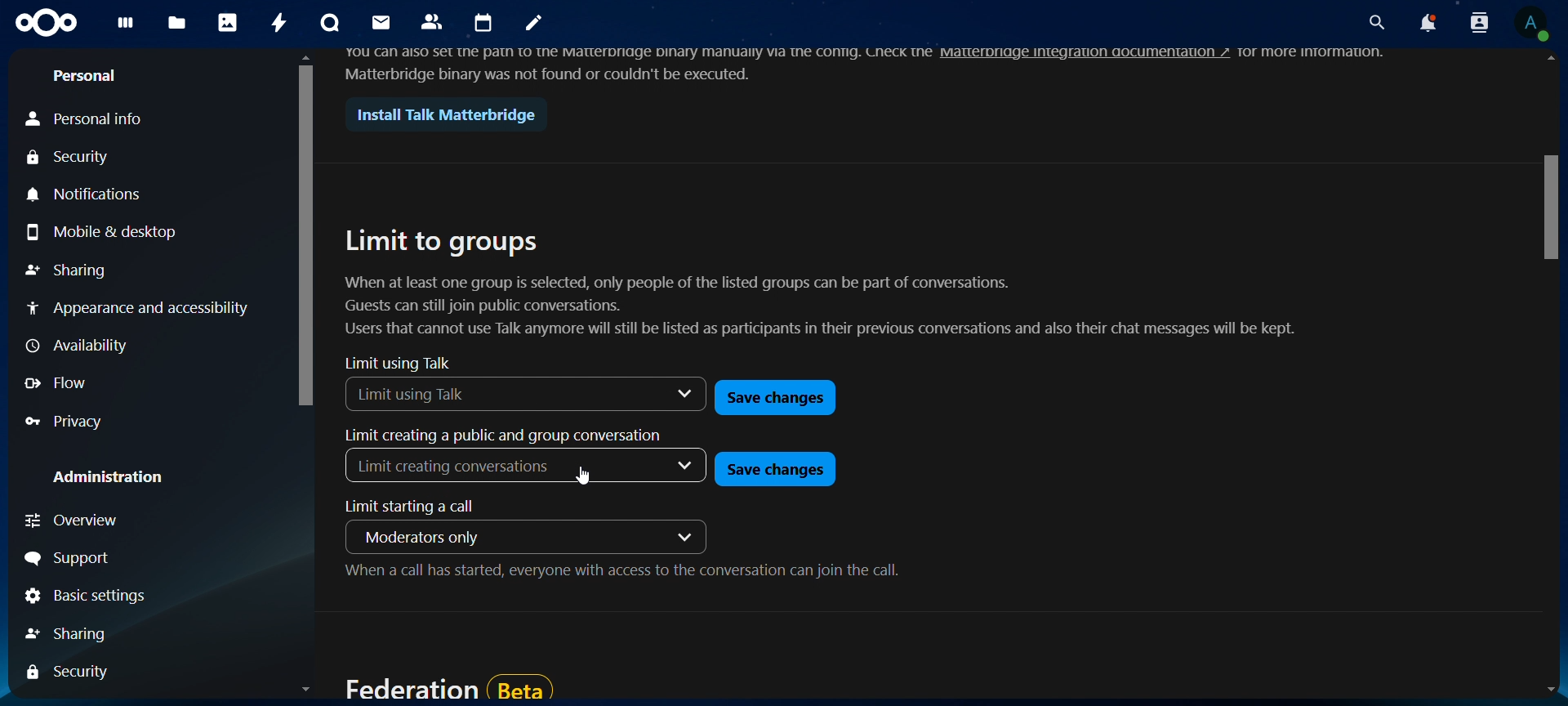 This screenshot has width=1568, height=706. Describe the element at coordinates (62, 386) in the screenshot. I see `Flow` at that location.